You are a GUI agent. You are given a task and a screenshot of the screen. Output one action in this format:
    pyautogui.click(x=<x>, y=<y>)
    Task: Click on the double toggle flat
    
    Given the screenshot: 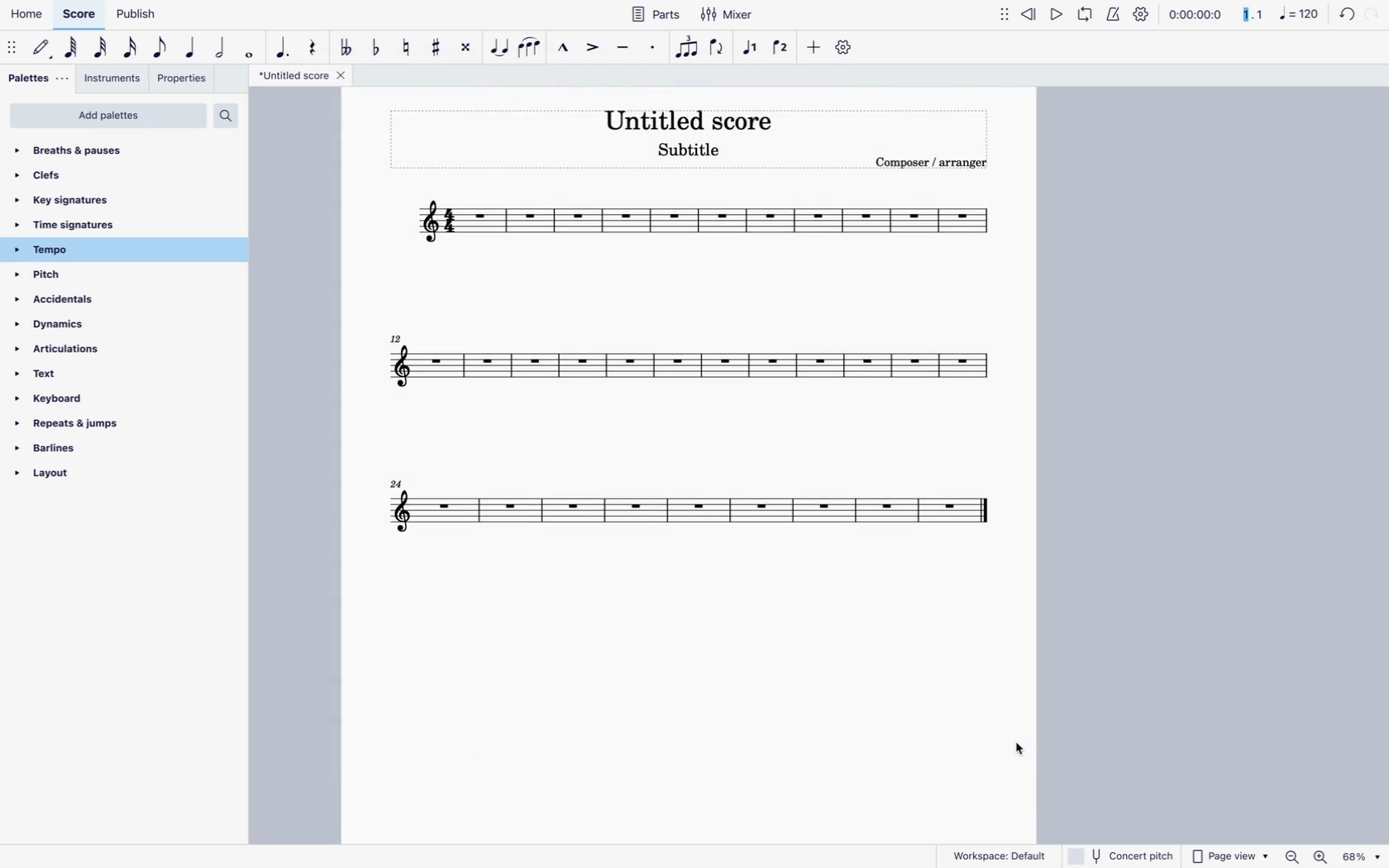 What is the action you would take?
    pyautogui.click(x=349, y=48)
    